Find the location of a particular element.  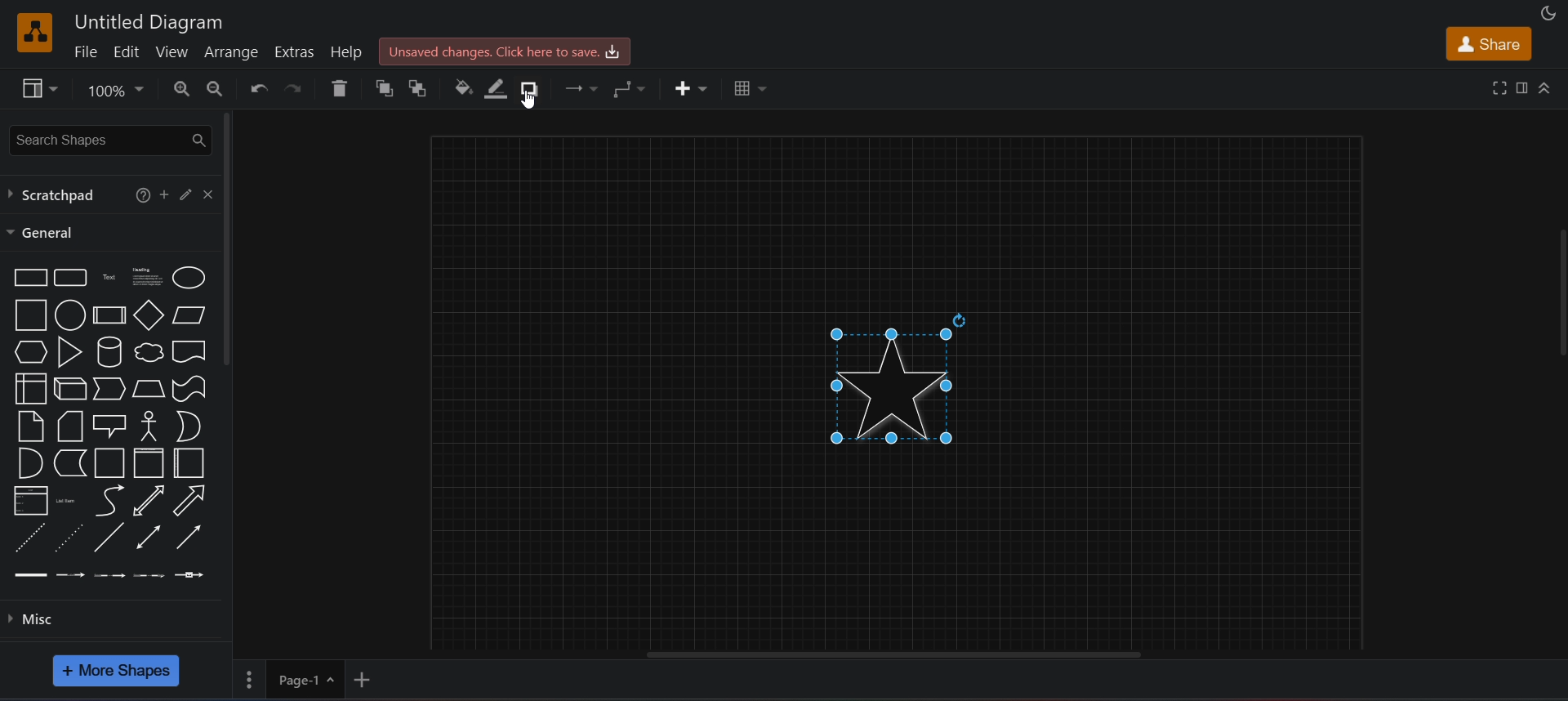

insert  is located at coordinates (692, 90).